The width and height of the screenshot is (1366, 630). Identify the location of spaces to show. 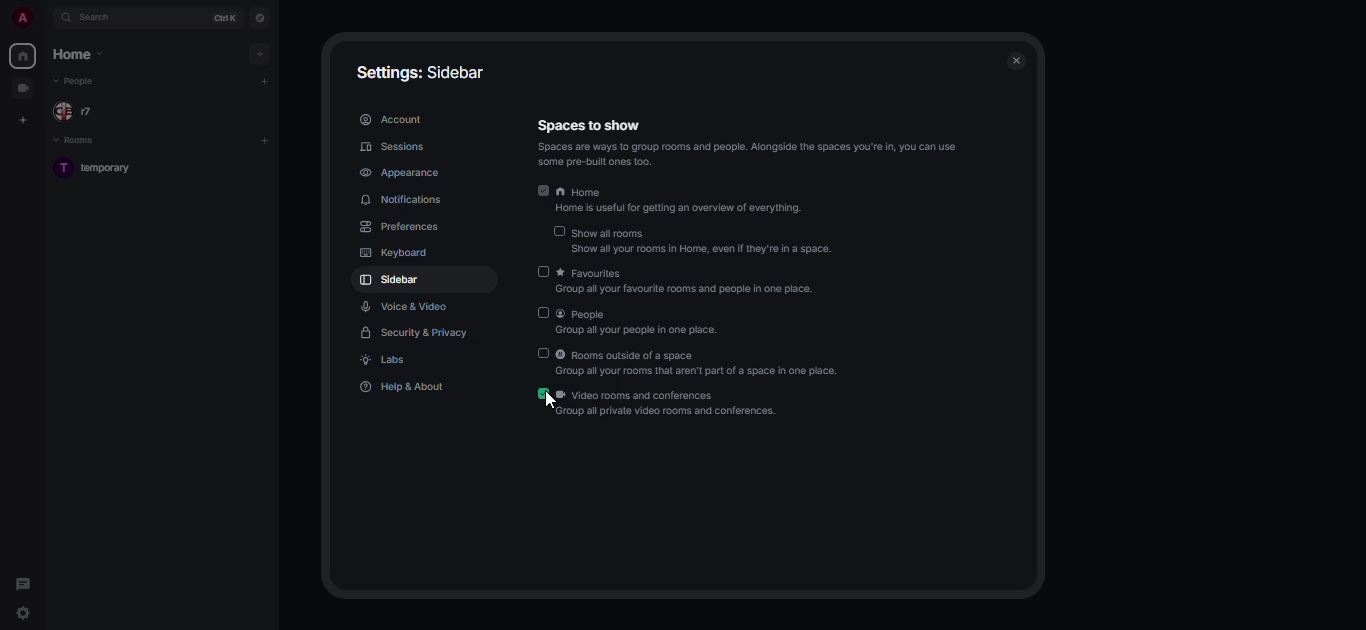
(598, 126).